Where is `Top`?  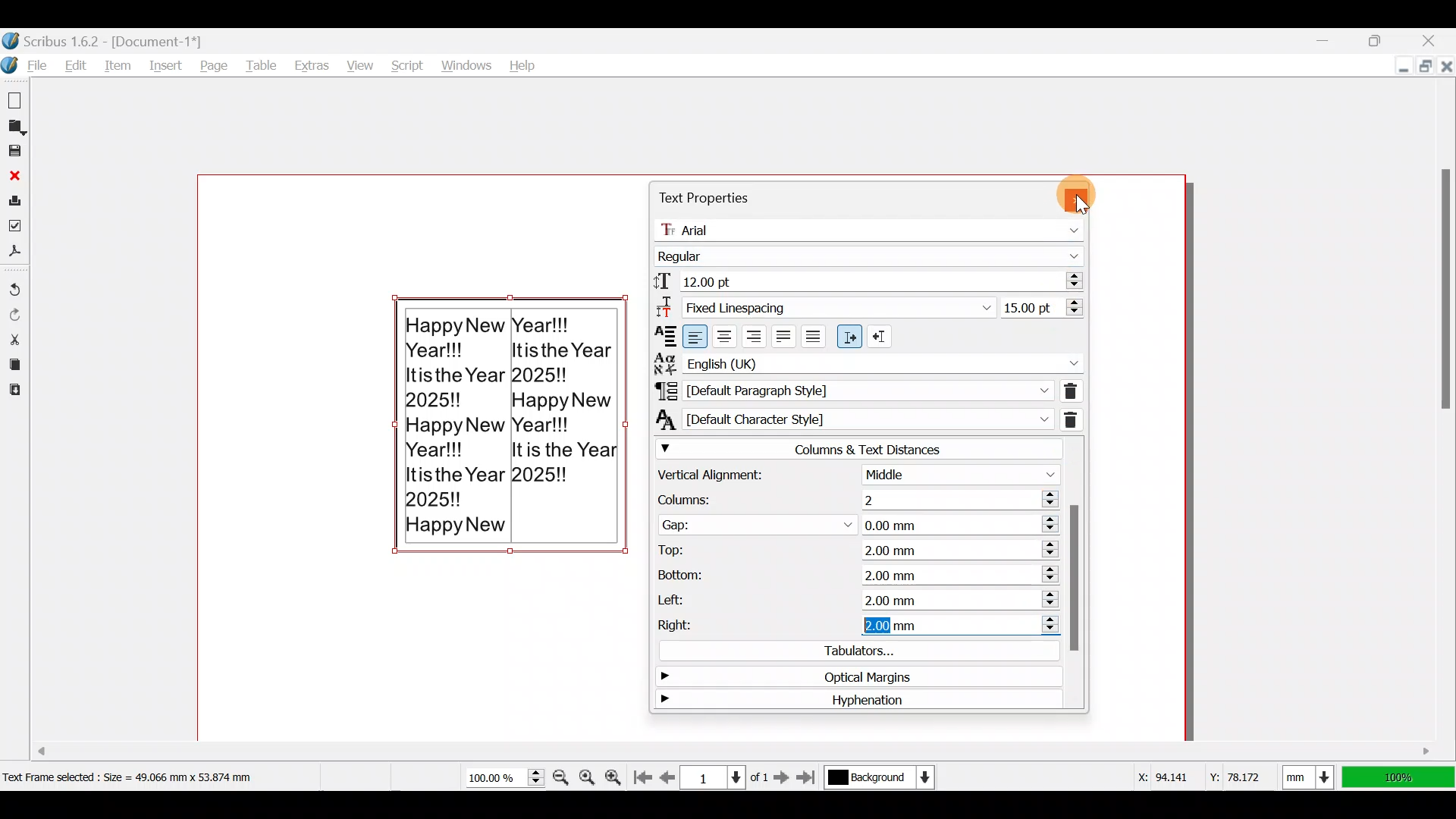
Top is located at coordinates (852, 549).